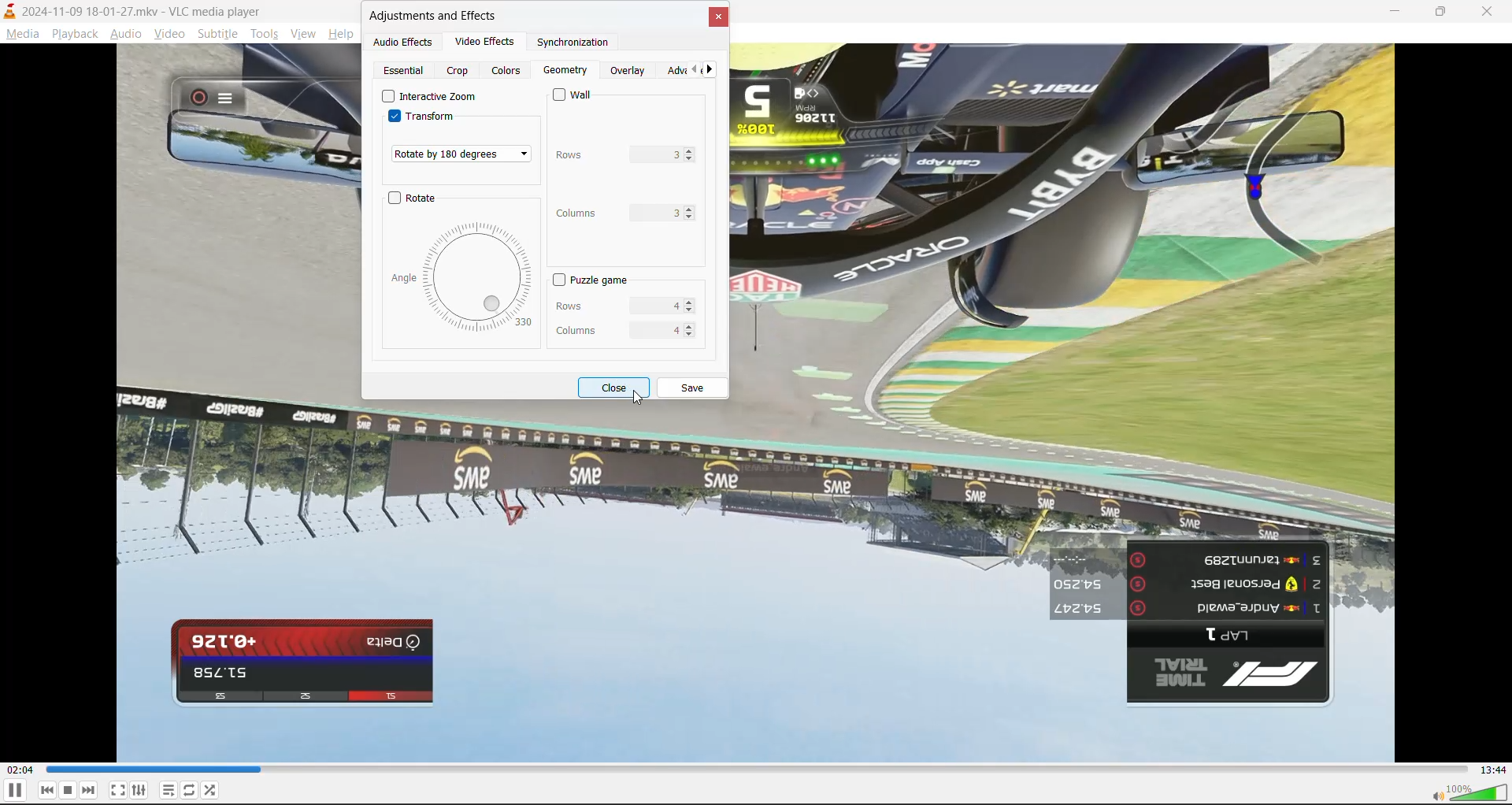  What do you see at coordinates (1399, 13) in the screenshot?
I see `minimize` at bounding box center [1399, 13].